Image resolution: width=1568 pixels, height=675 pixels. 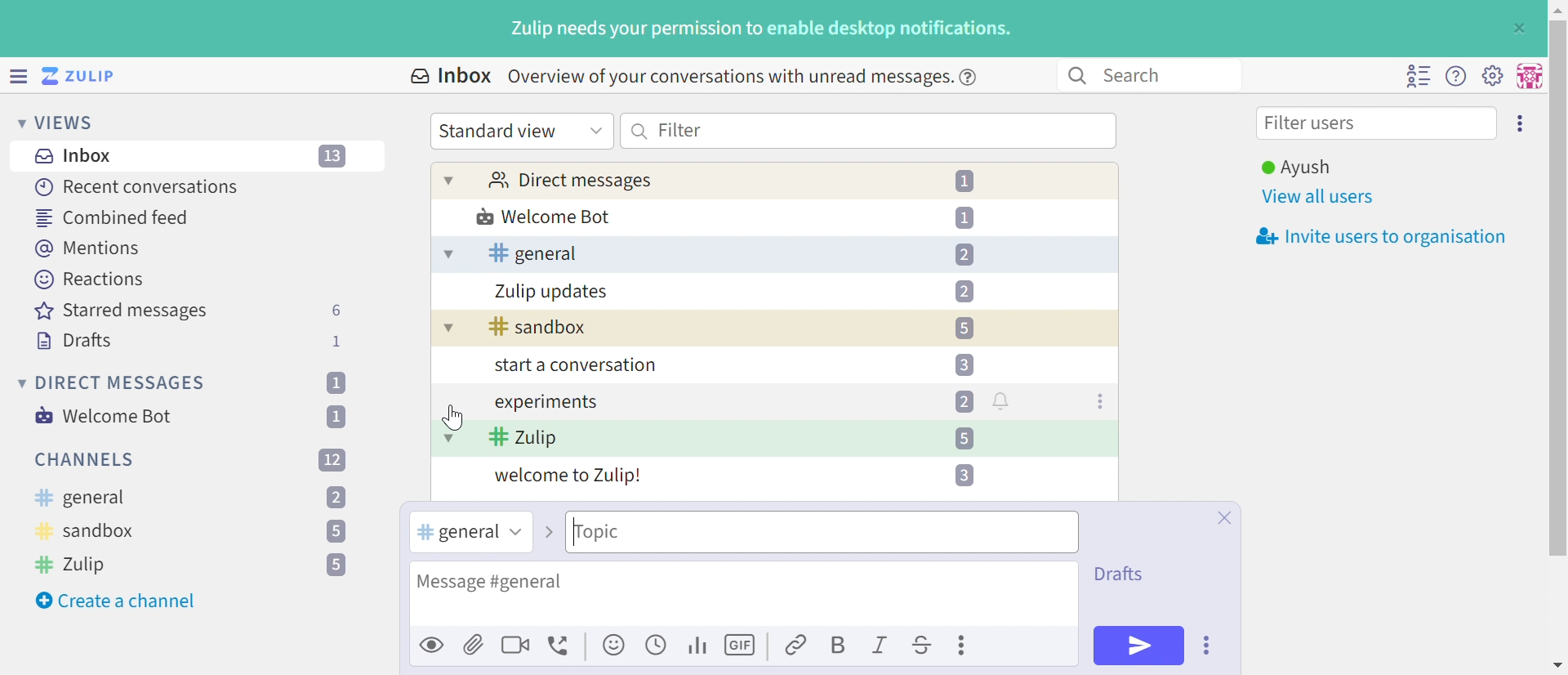 I want to click on Help menu, so click(x=1456, y=77).